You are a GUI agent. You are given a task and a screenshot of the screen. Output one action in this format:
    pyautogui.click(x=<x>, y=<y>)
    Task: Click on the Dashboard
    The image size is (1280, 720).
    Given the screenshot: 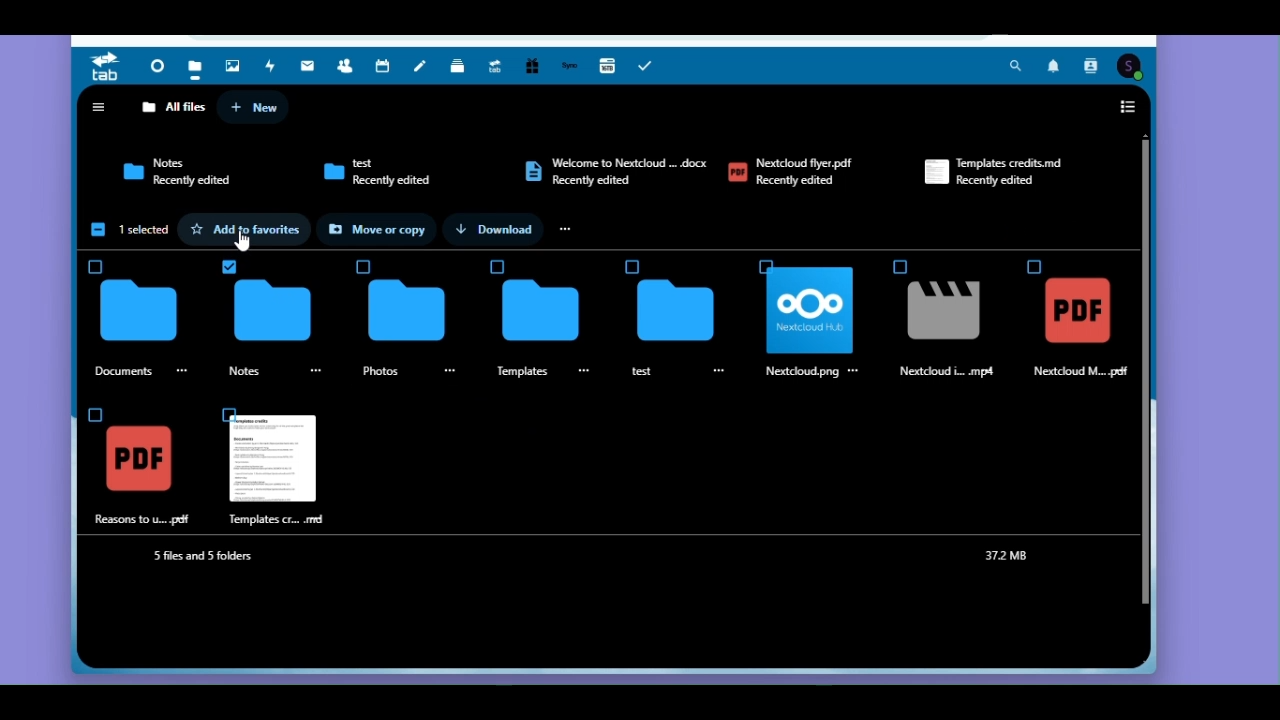 What is the action you would take?
    pyautogui.click(x=157, y=67)
    